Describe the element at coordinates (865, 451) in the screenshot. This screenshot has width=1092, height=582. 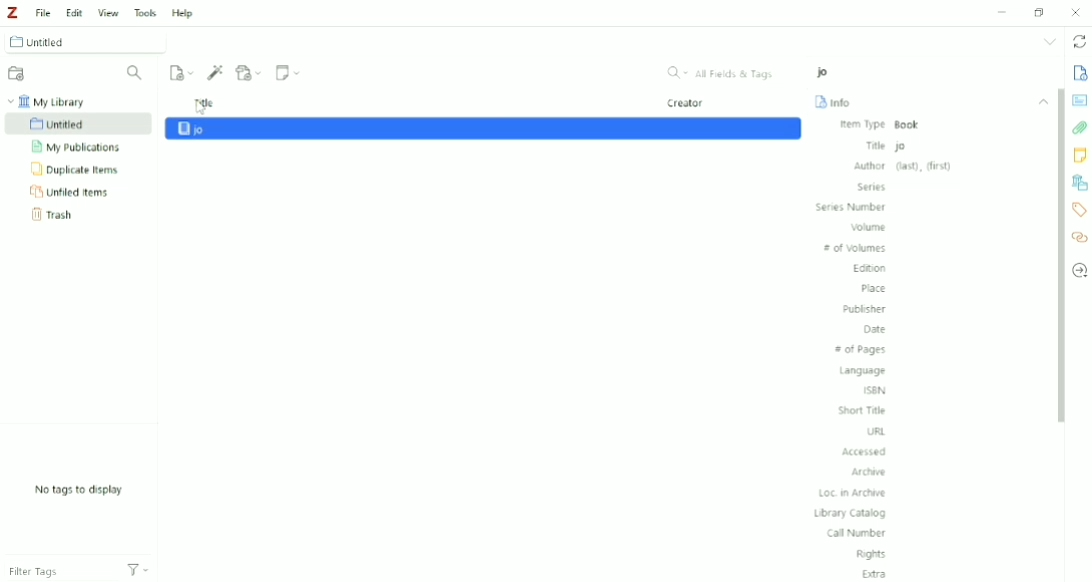
I see `Accessed` at that location.